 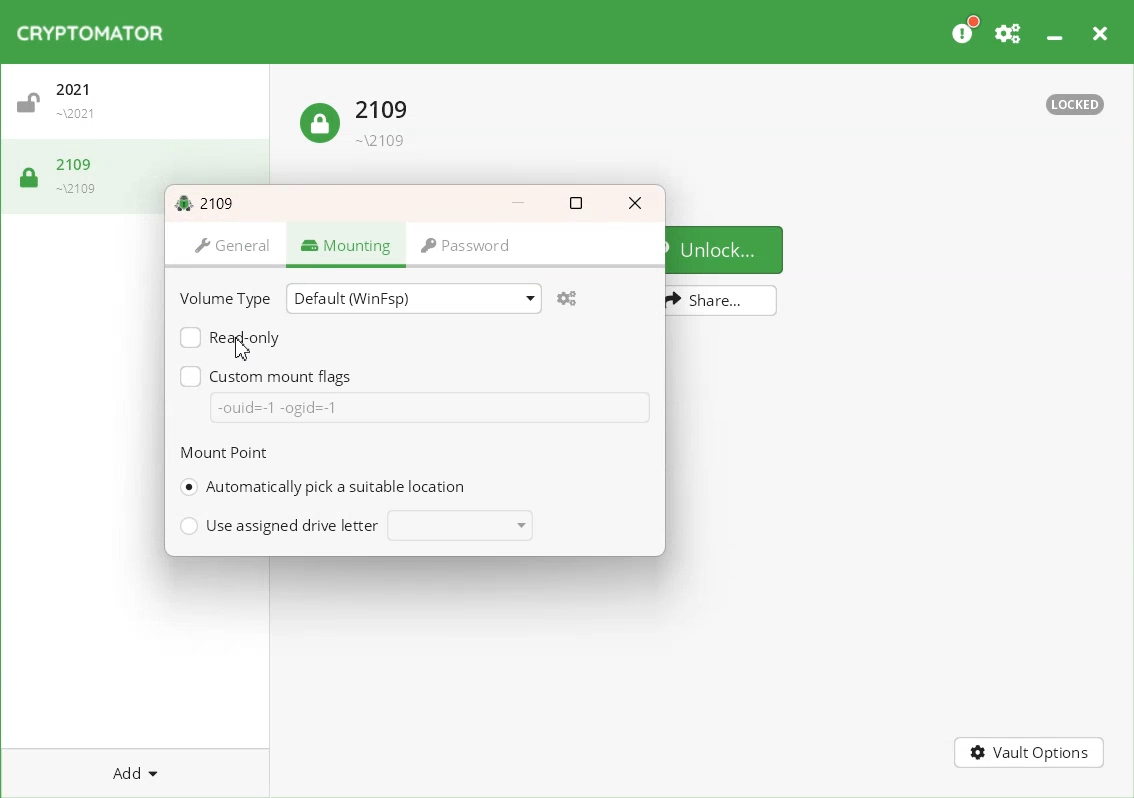 I want to click on Open virtual drive preferences, so click(x=570, y=298).